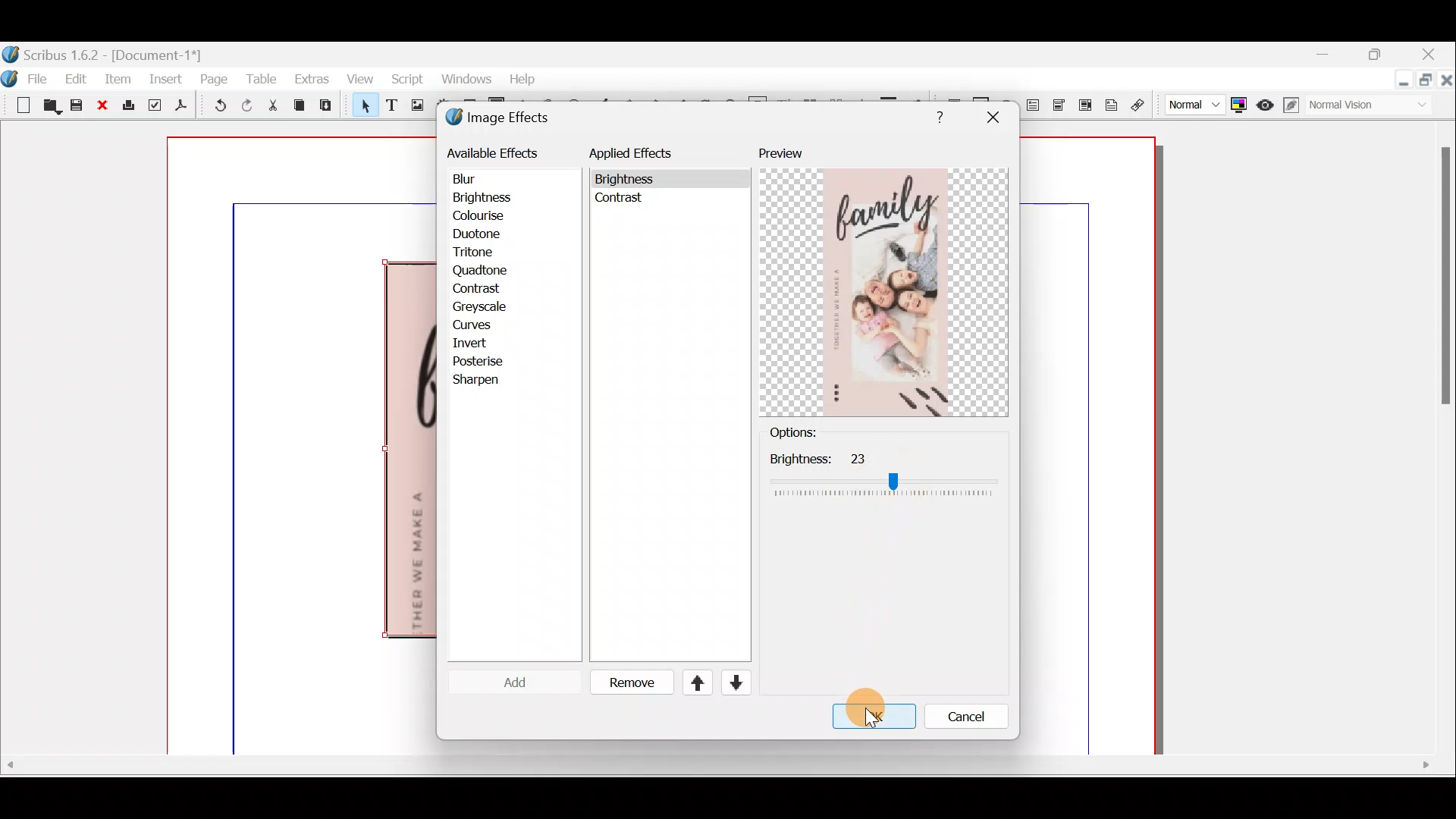  Describe the element at coordinates (246, 105) in the screenshot. I see `Redo` at that location.